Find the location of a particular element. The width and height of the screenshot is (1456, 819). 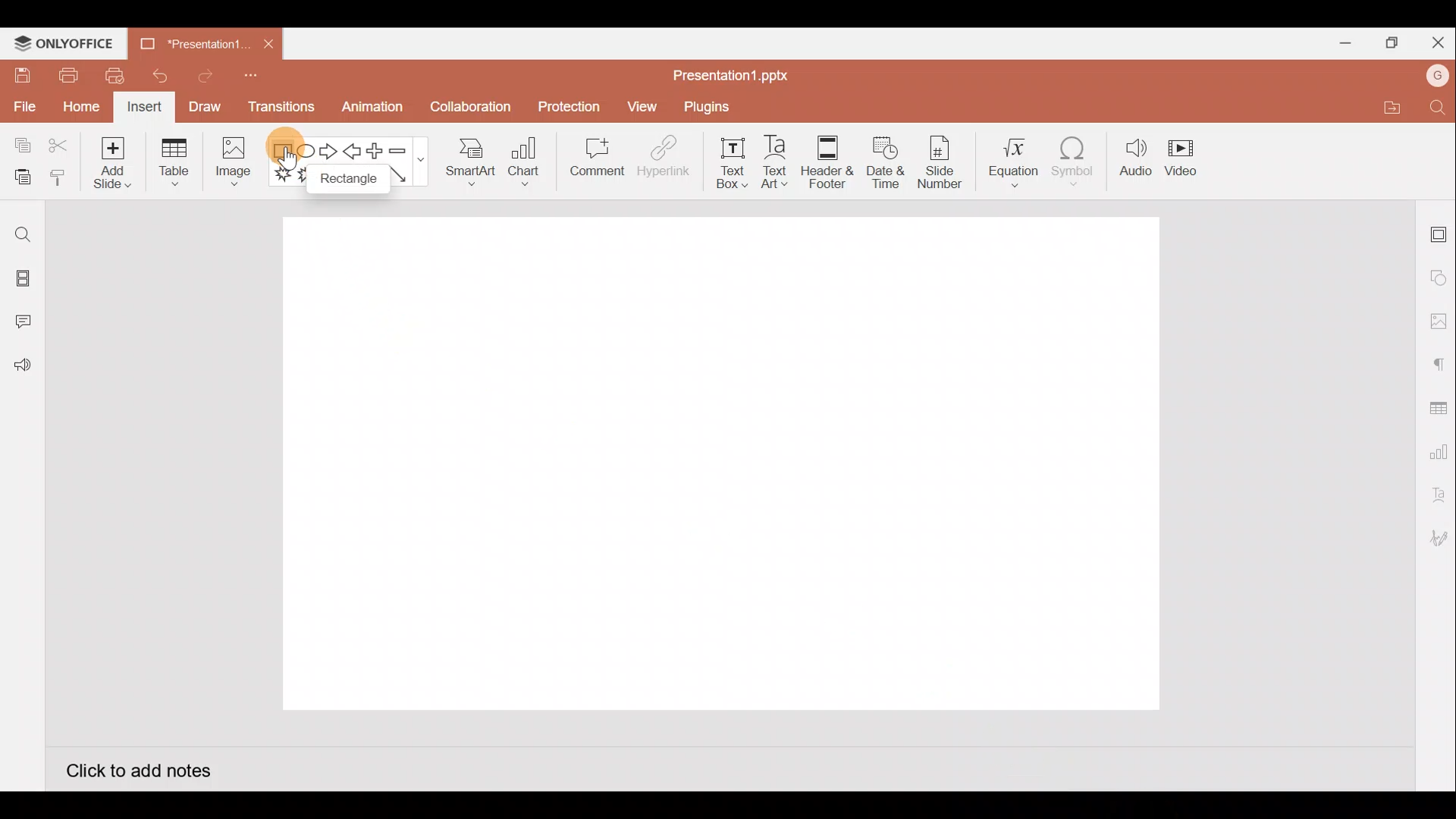

Open file location is located at coordinates (1389, 107).